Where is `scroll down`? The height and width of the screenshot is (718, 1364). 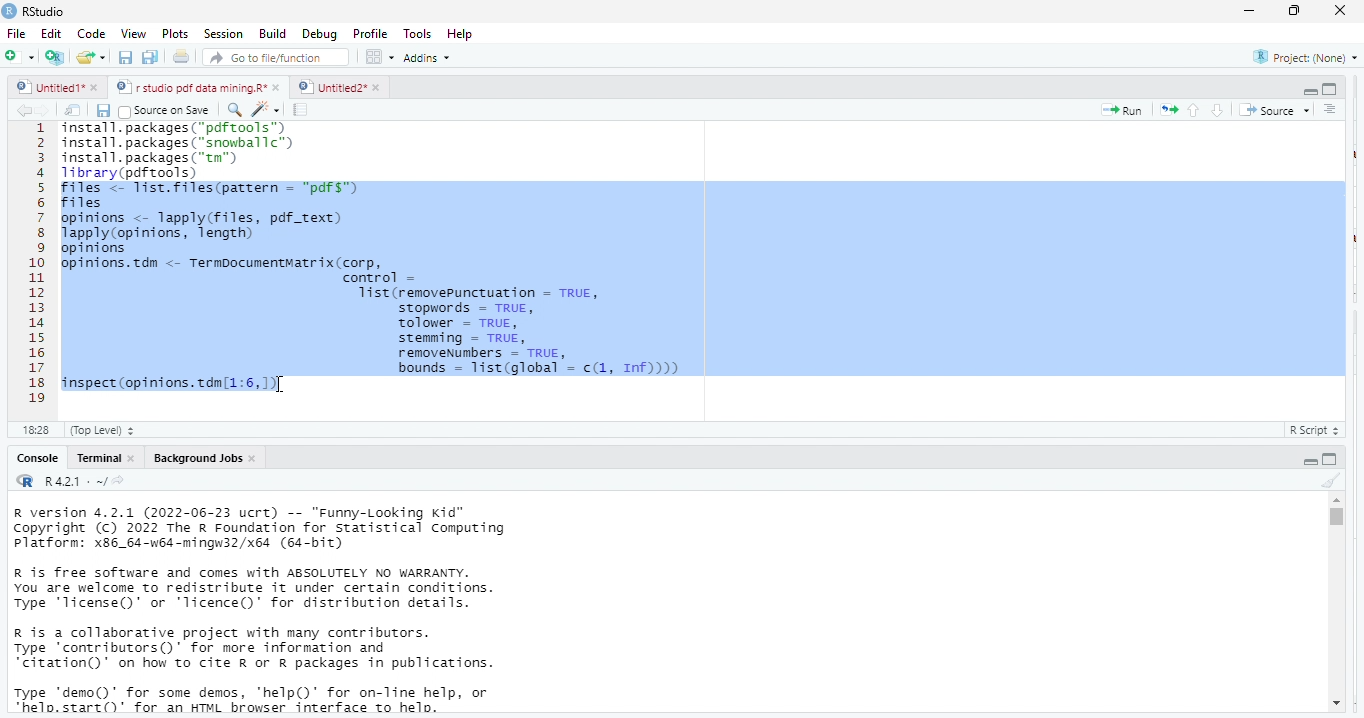
scroll down is located at coordinates (1335, 705).